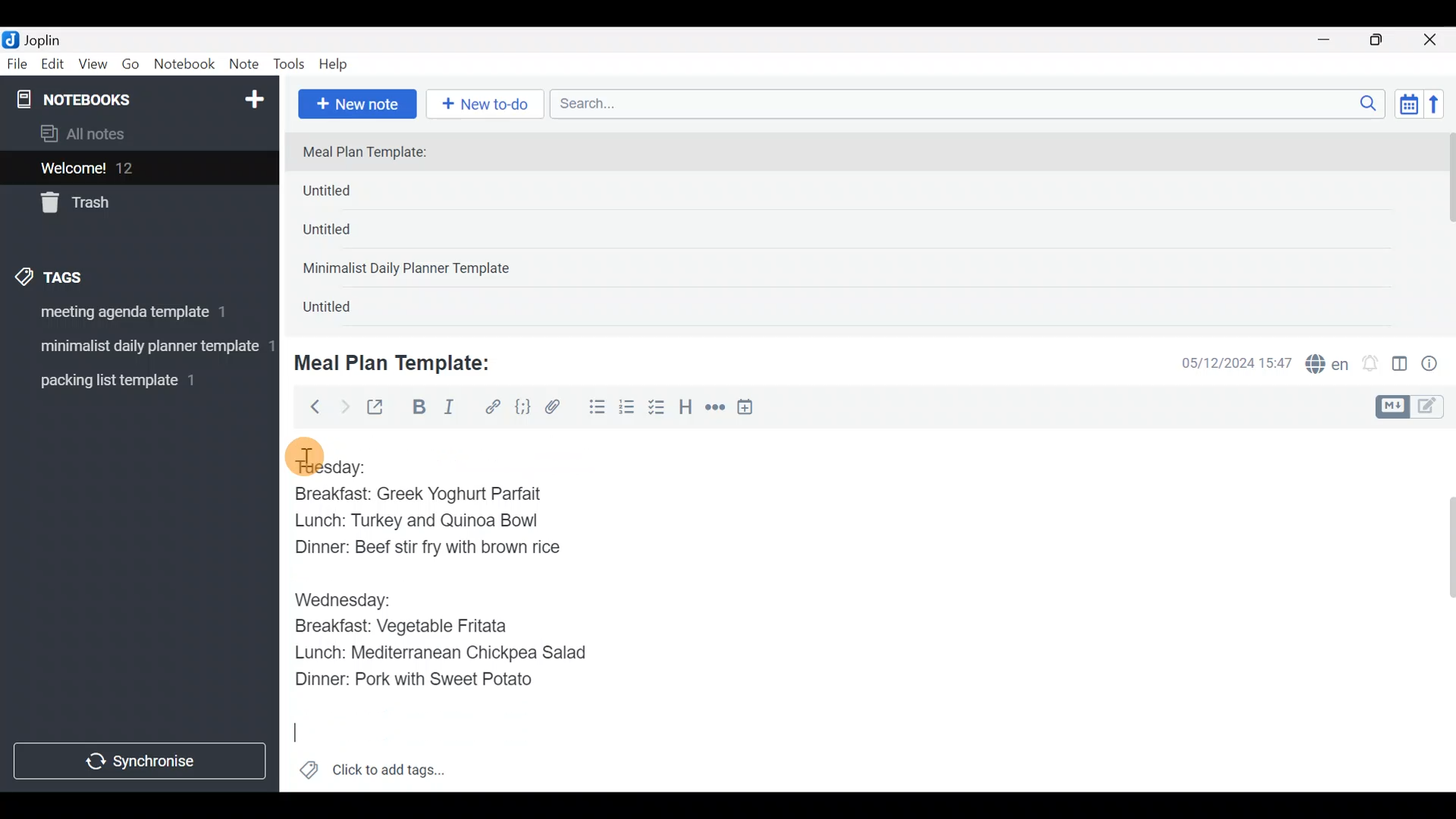 The height and width of the screenshot is (819, 1456). What do you see at coordinates (971, 102) in the screenshot?
I see `Search bar` at bounding box center [971, 102].